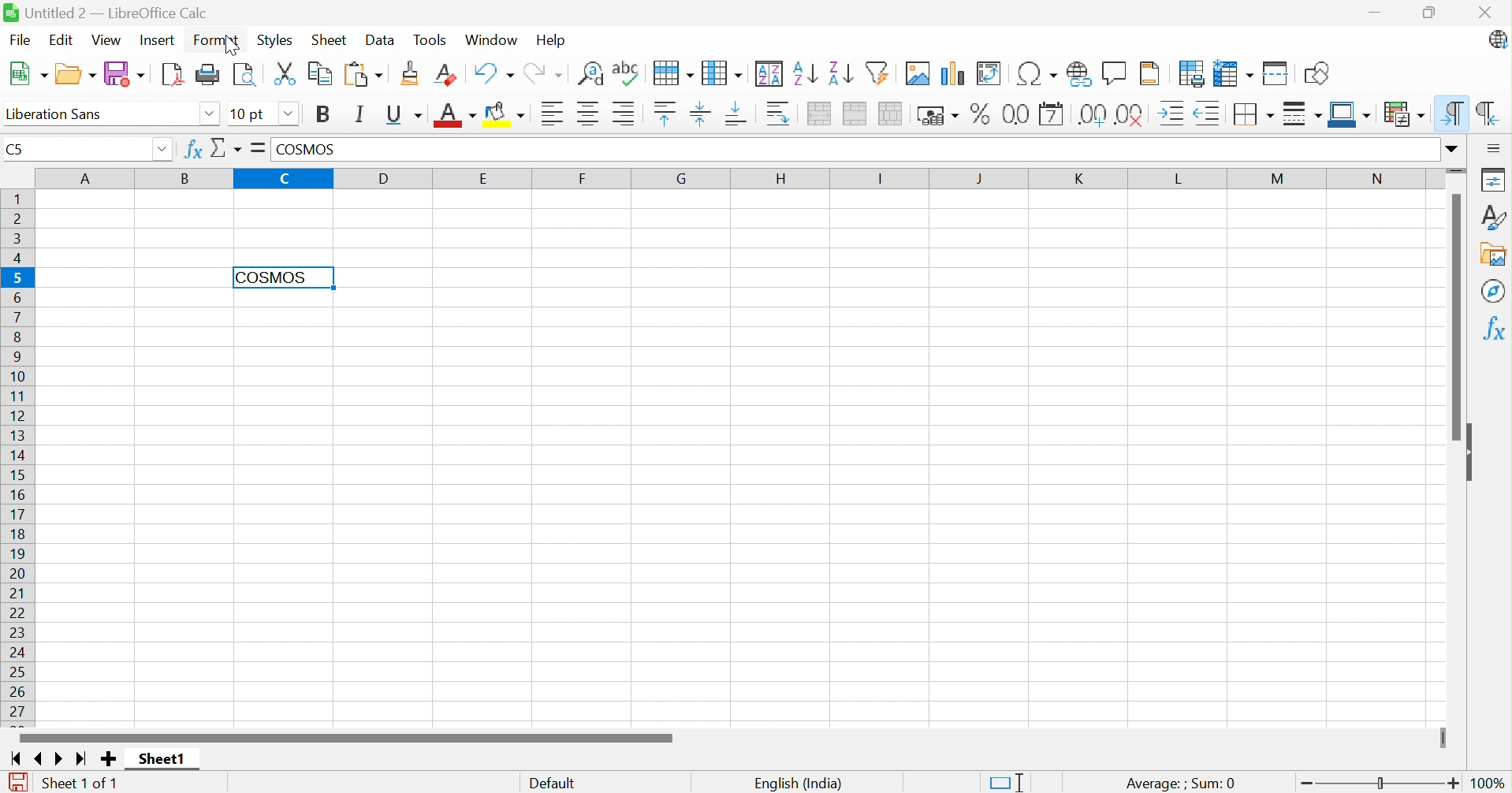 The width and height of the screenshot is (1512, 793). What do you see at coordinates (771, 72) in the screenshot?
I see `Sort` at bounding box center [771, 72].